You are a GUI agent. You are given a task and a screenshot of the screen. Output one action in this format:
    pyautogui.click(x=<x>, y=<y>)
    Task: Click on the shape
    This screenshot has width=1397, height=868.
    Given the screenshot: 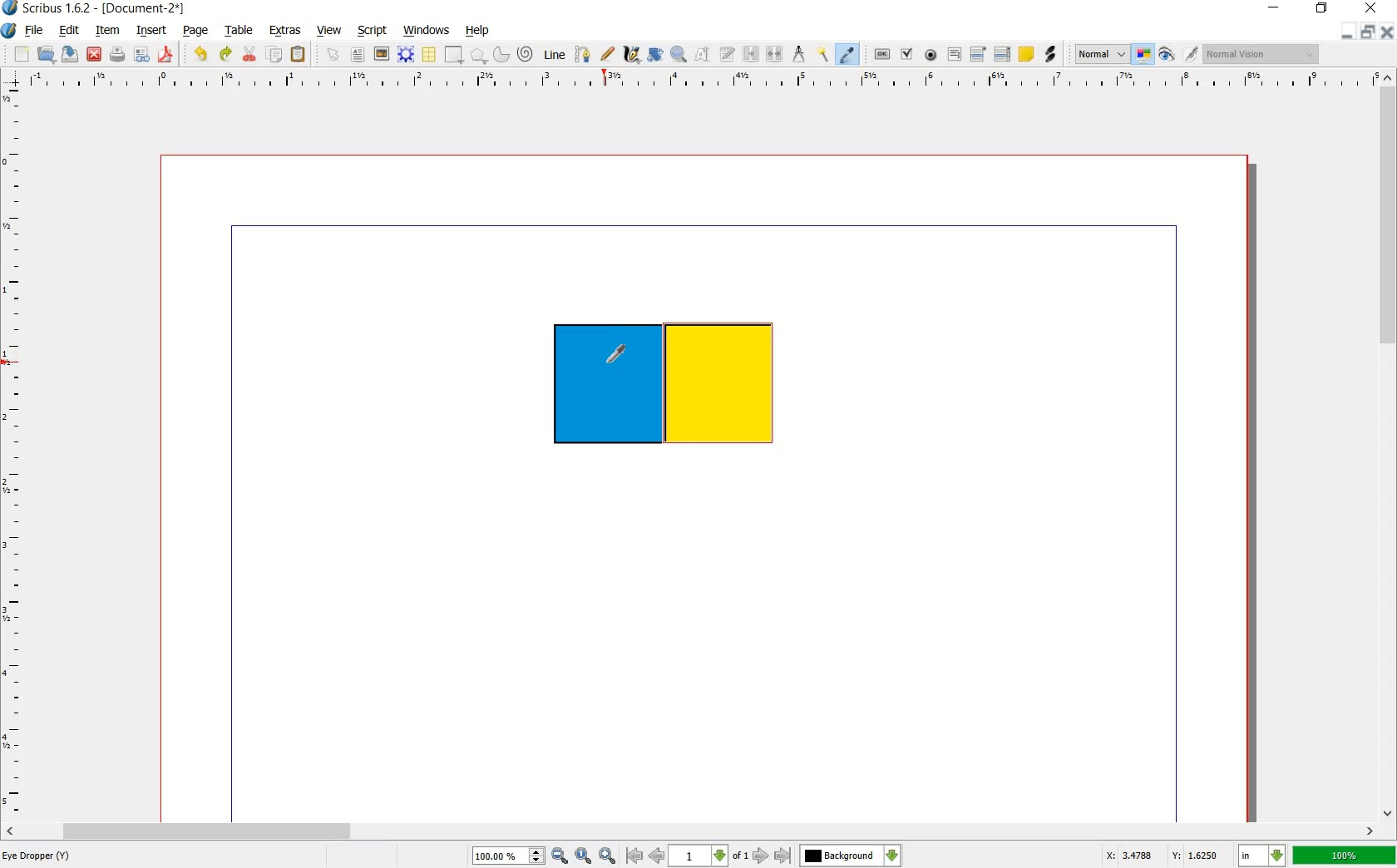 What is the action you would take?
    pyautogui.click(x=452, y=55)
    